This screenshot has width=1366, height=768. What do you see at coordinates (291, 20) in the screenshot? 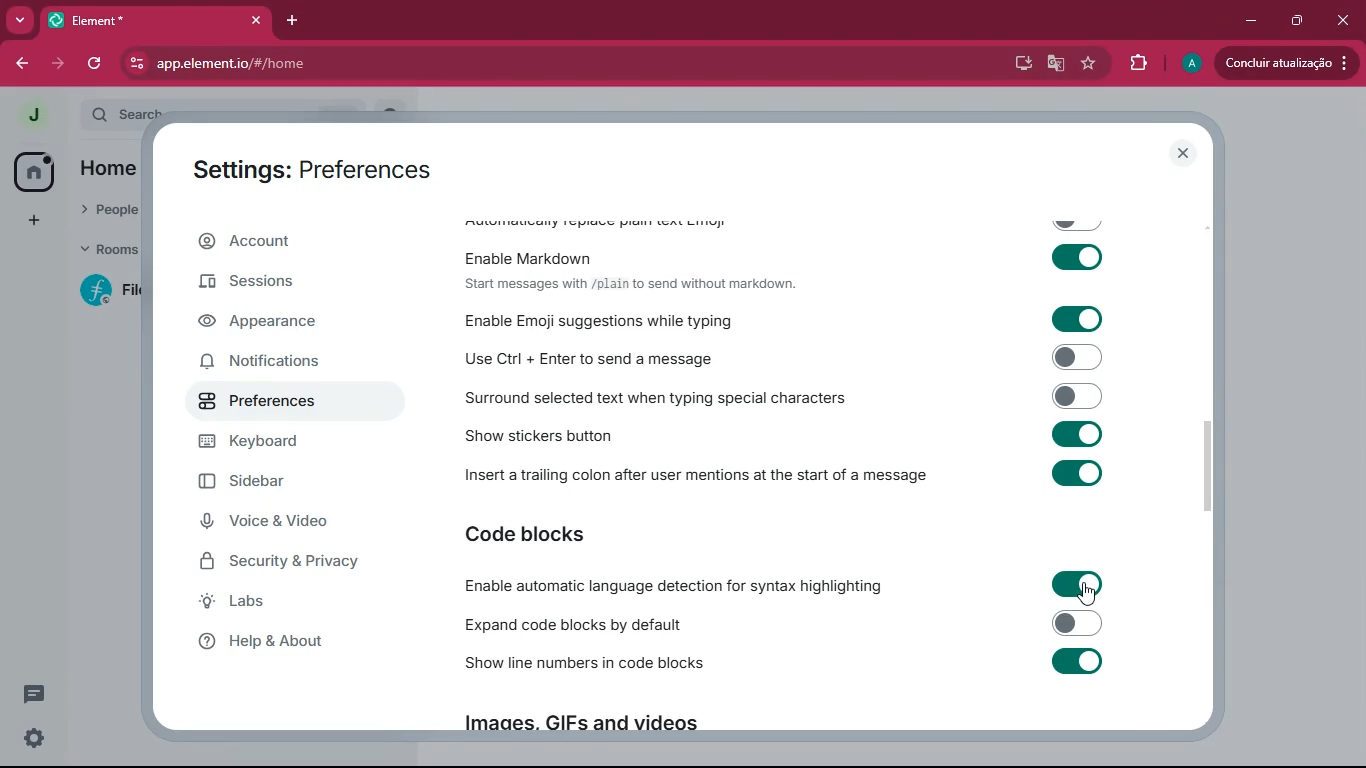
I see `add tab` at bounding box center [291, 20].